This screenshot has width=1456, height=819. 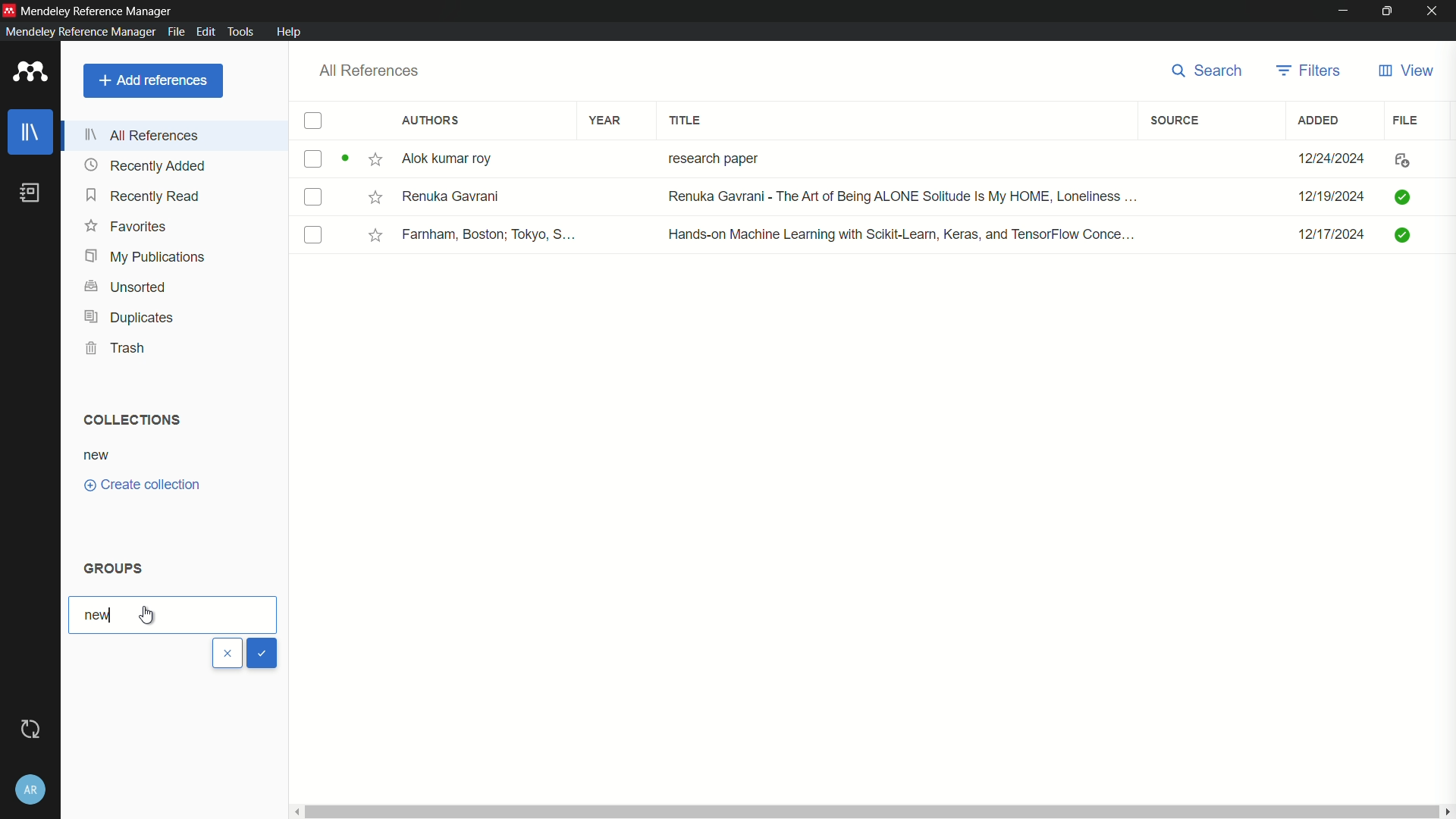 I want to click on file, so click(x=1407, y=119).